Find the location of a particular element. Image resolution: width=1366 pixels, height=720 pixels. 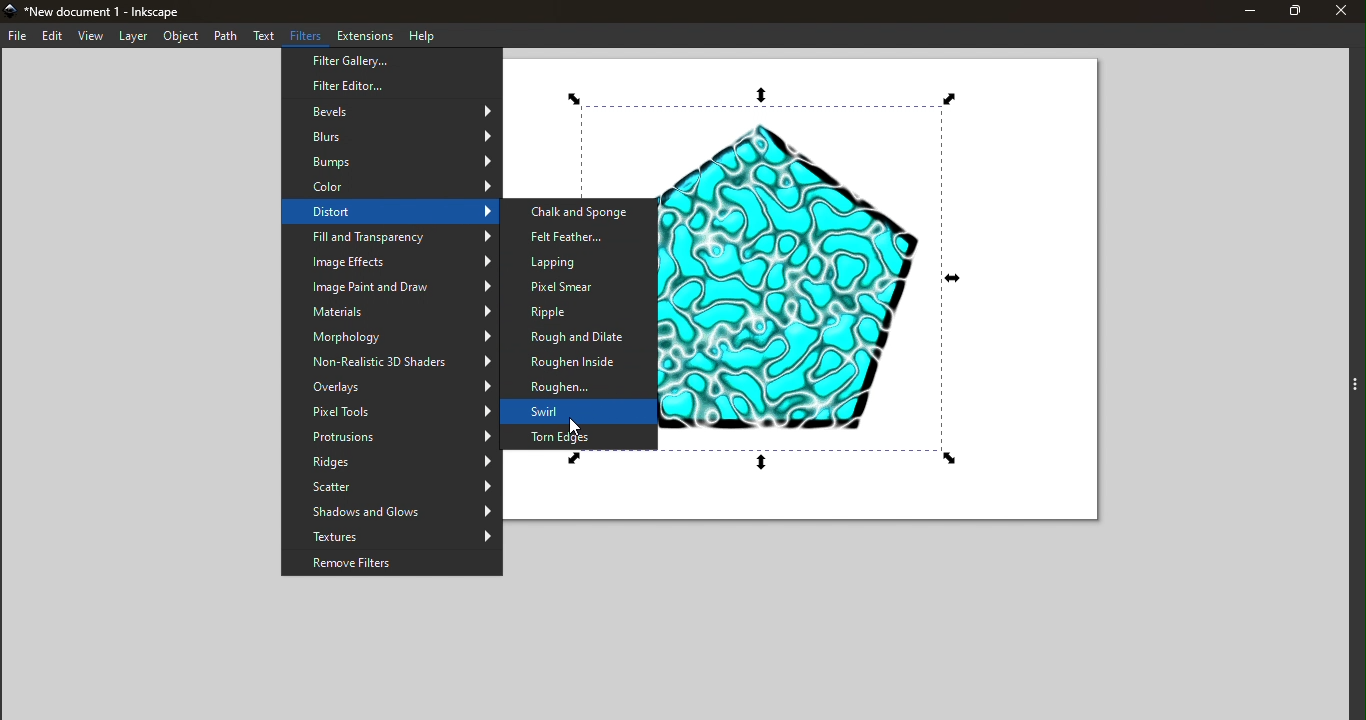

New document 1 - Inkscape is located at coordinates (118, 11).